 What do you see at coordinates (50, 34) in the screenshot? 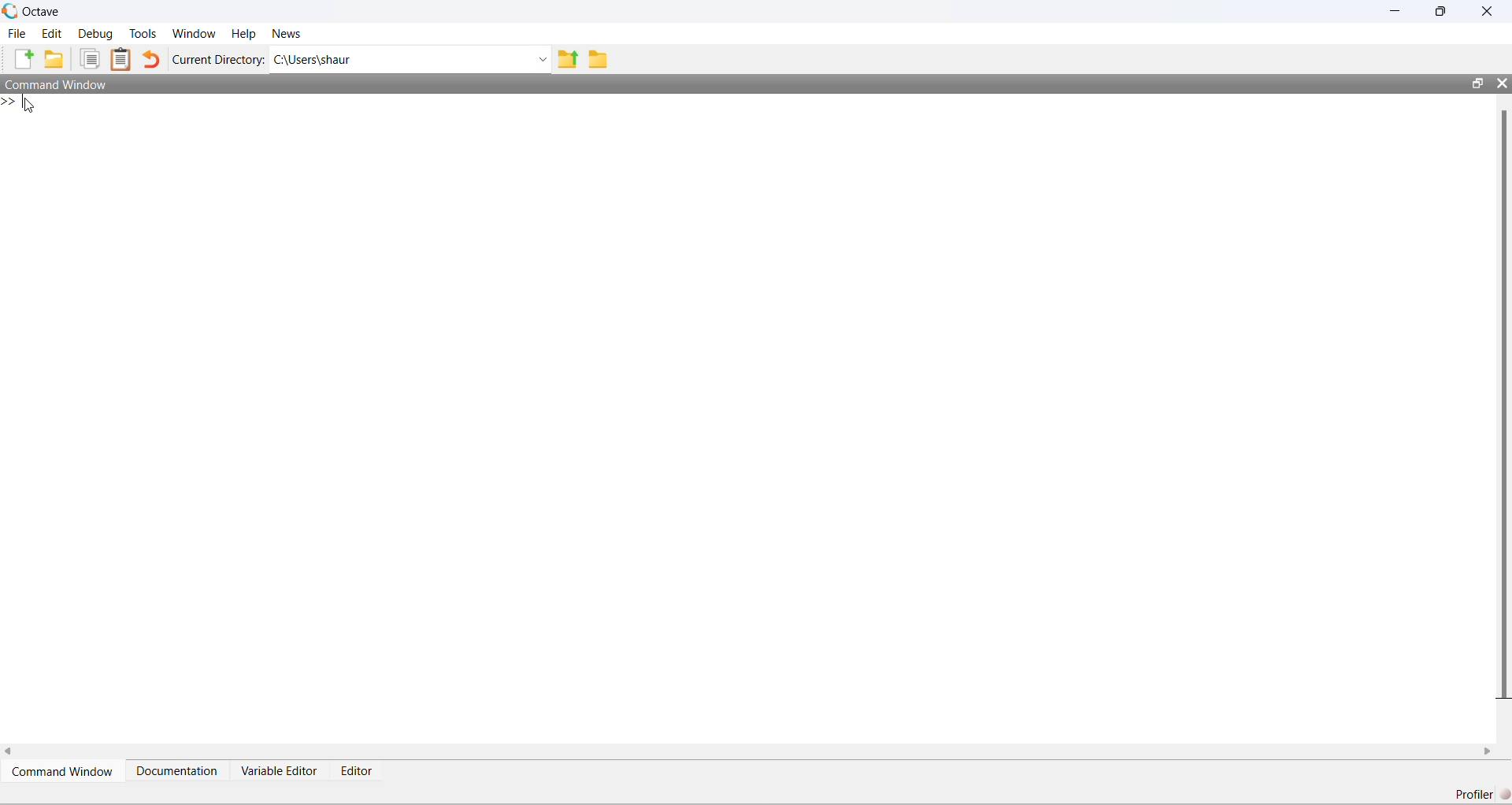
I see `Edit` at bounding box center [50, 34].